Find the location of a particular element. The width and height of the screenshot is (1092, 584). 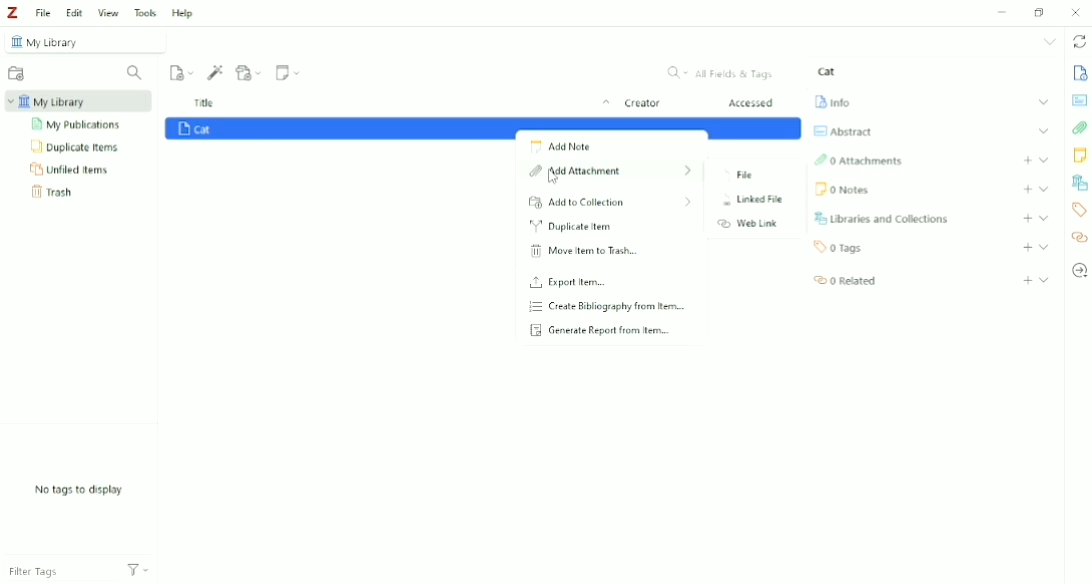

Actions is located at coordinates (138, 568).